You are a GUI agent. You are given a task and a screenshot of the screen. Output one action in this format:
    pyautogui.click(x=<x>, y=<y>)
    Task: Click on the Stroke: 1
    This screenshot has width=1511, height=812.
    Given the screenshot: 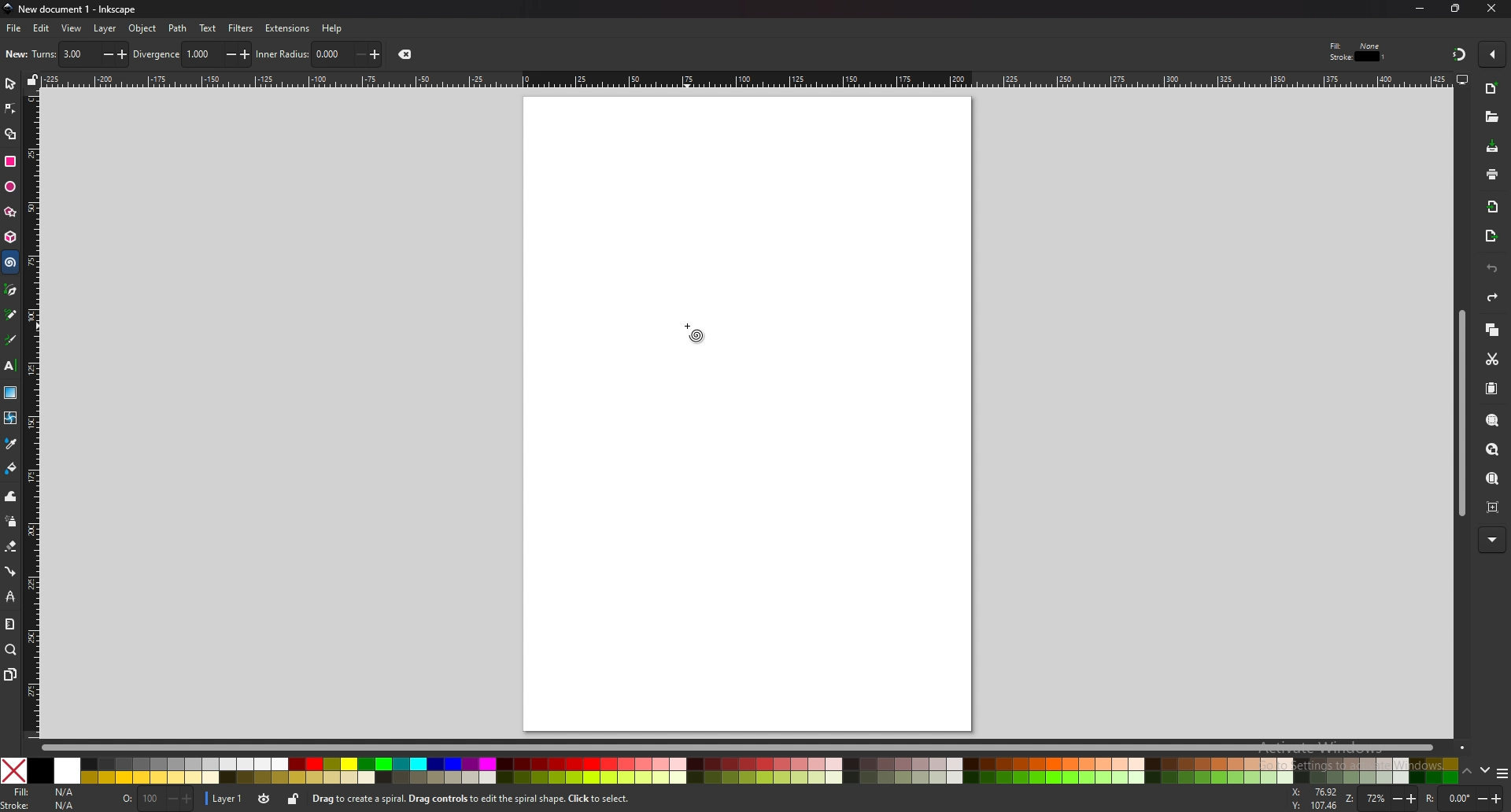 What is the action you would take?
    pyautogui.click(x=1358, y=57)
    